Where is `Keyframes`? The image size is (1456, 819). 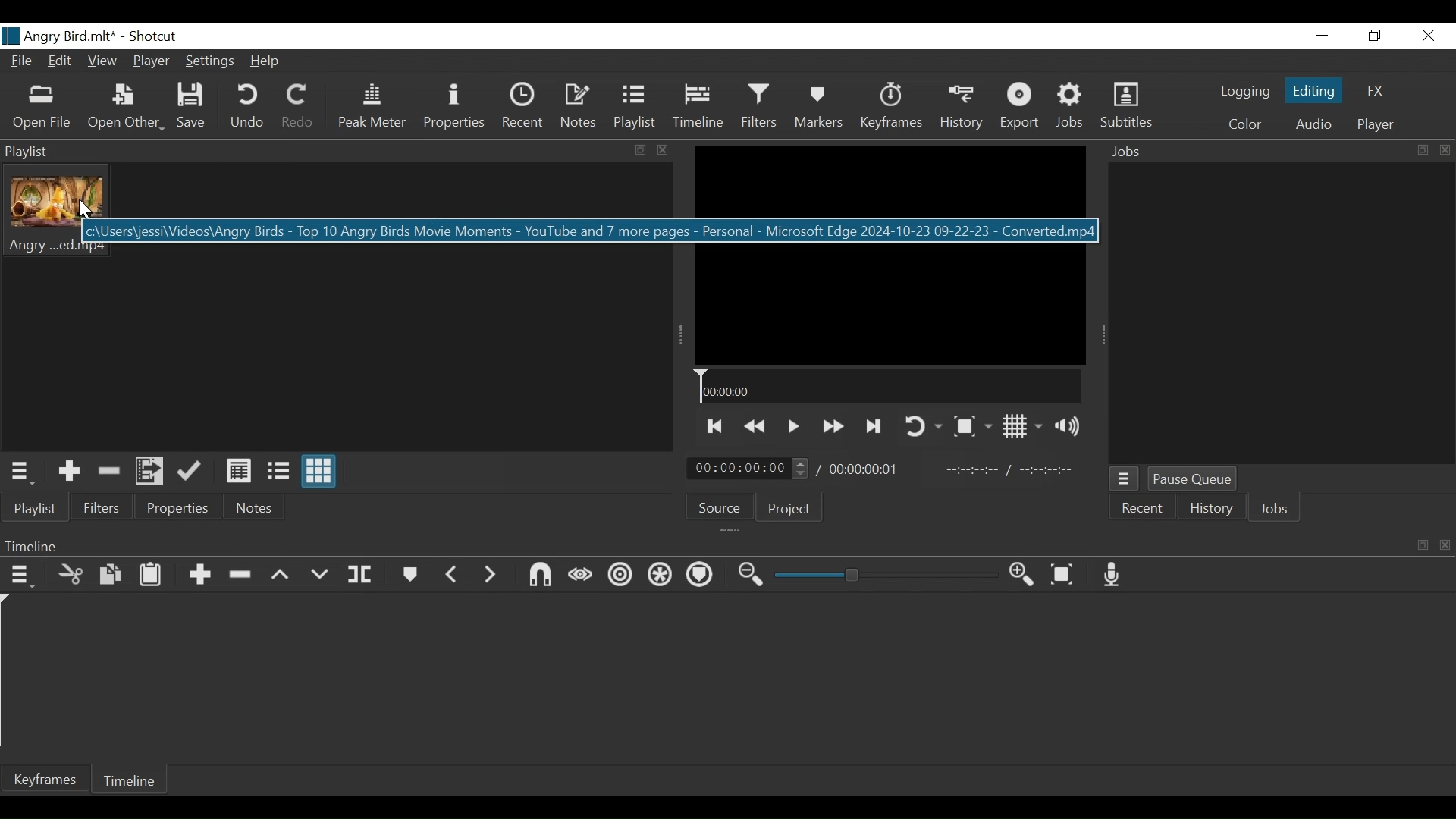 Keyframes is located at coordinates (891, 106).